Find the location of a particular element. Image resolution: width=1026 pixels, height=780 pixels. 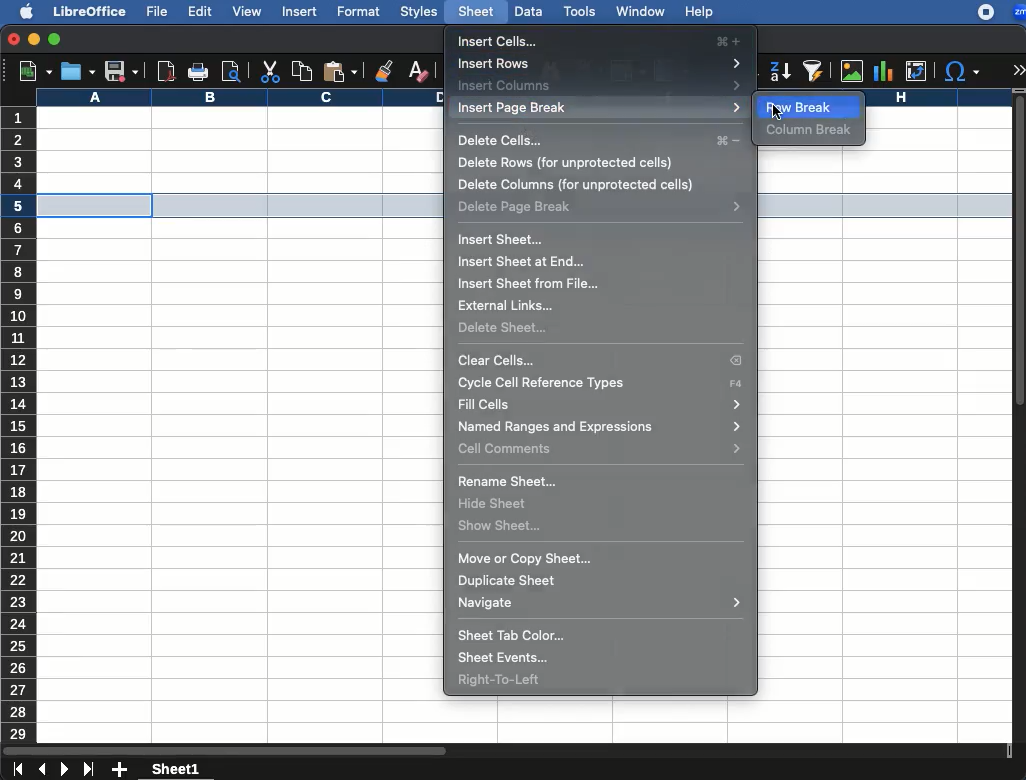

edit is located at coordinates (199, 12).